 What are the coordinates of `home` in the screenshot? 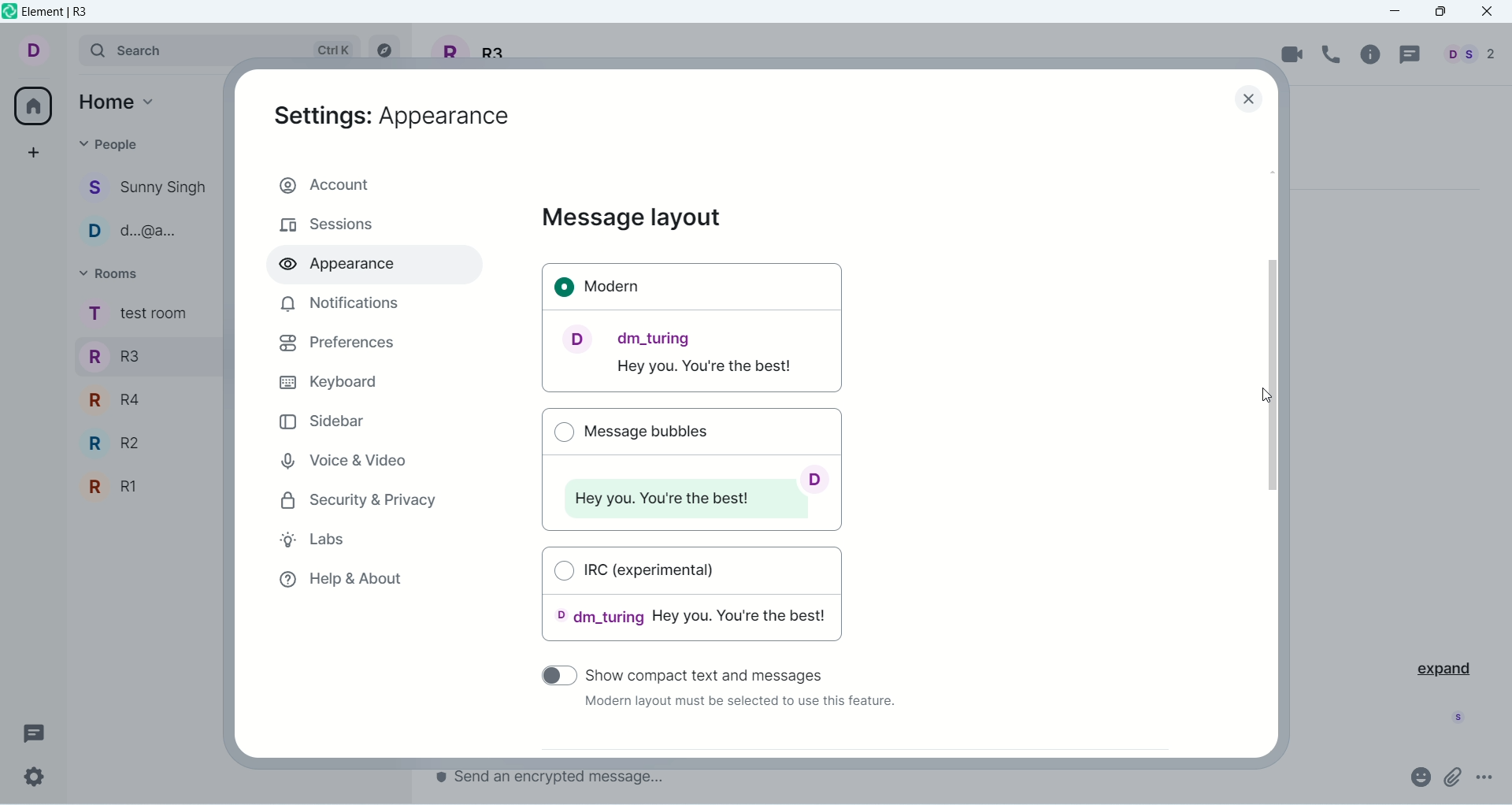 It's located at (121, 100).